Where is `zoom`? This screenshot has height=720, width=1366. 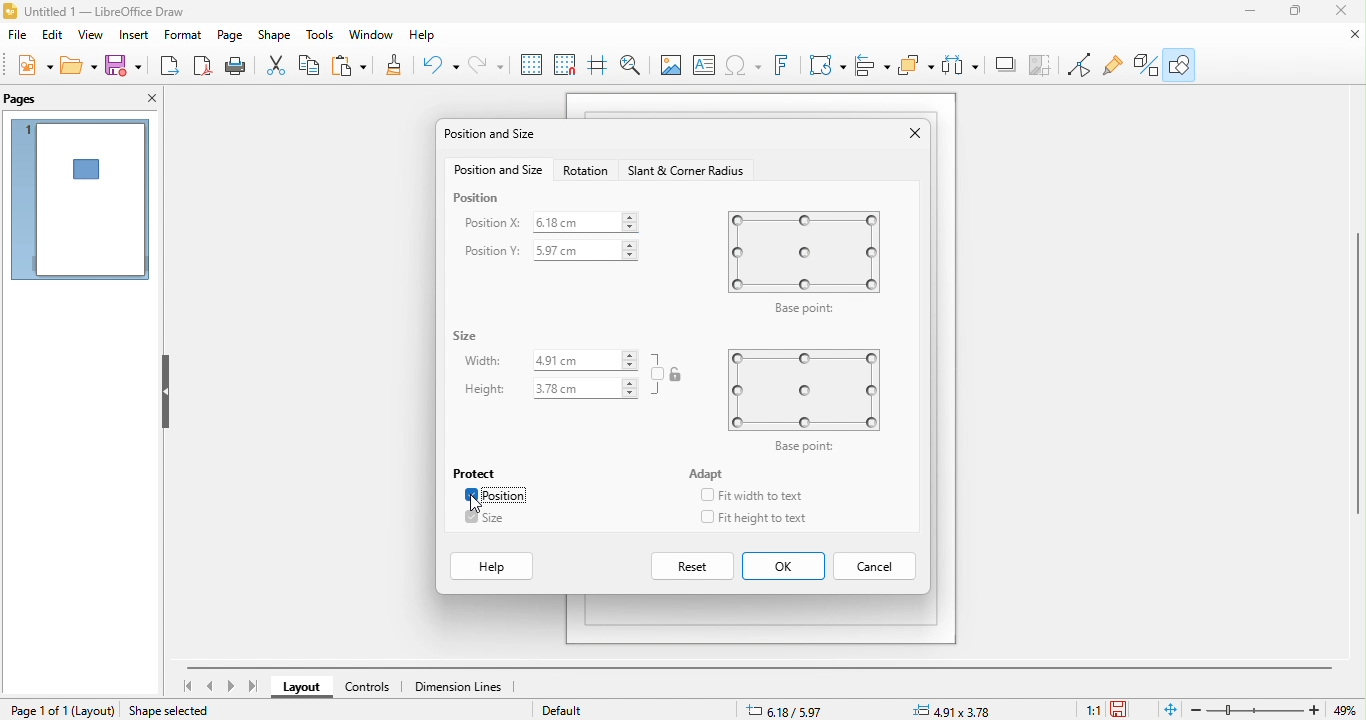
zoom is located at coordinates (1257, 710).